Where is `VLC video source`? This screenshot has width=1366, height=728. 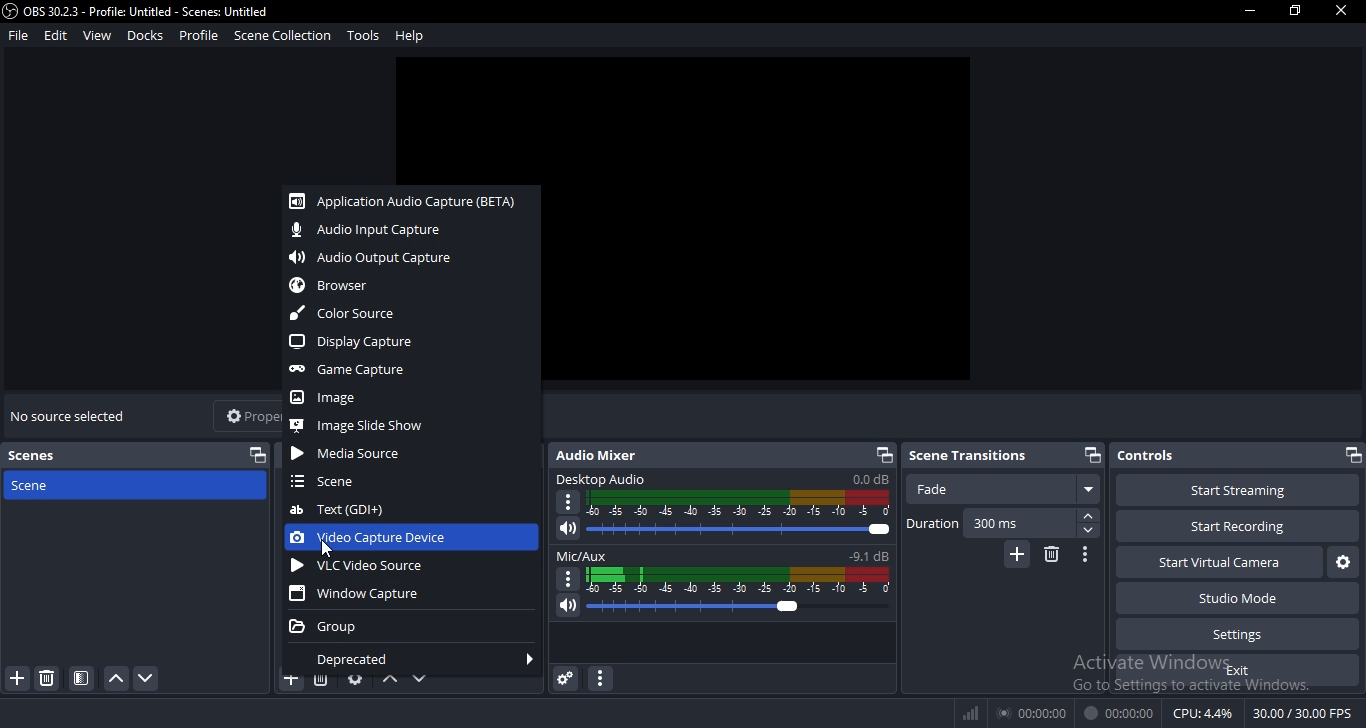 VLC video source is located at coordinates (366, 568).